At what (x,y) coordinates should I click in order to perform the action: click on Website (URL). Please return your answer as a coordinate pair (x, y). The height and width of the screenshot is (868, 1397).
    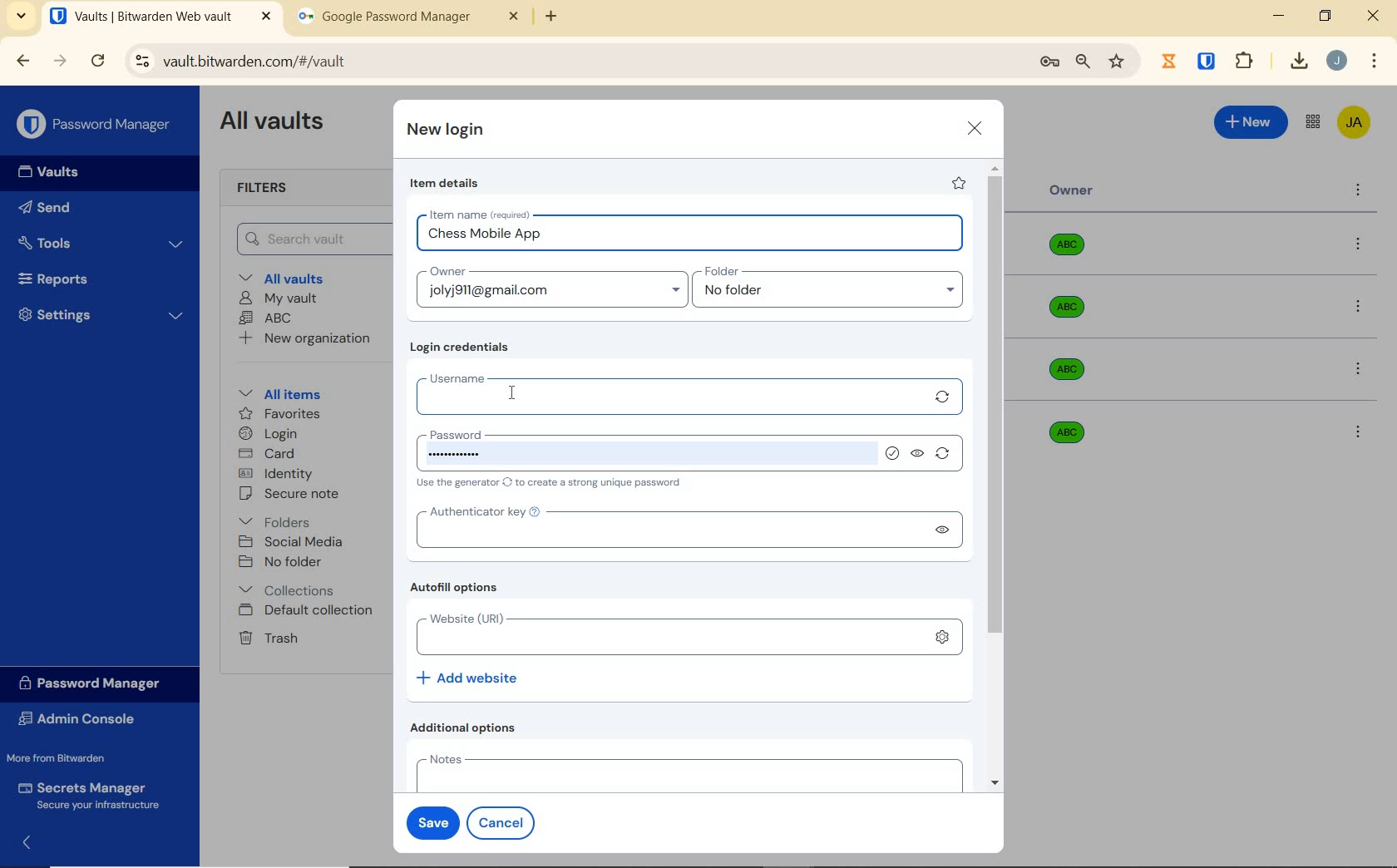
    Looking at the image, I should click on (665, 633).